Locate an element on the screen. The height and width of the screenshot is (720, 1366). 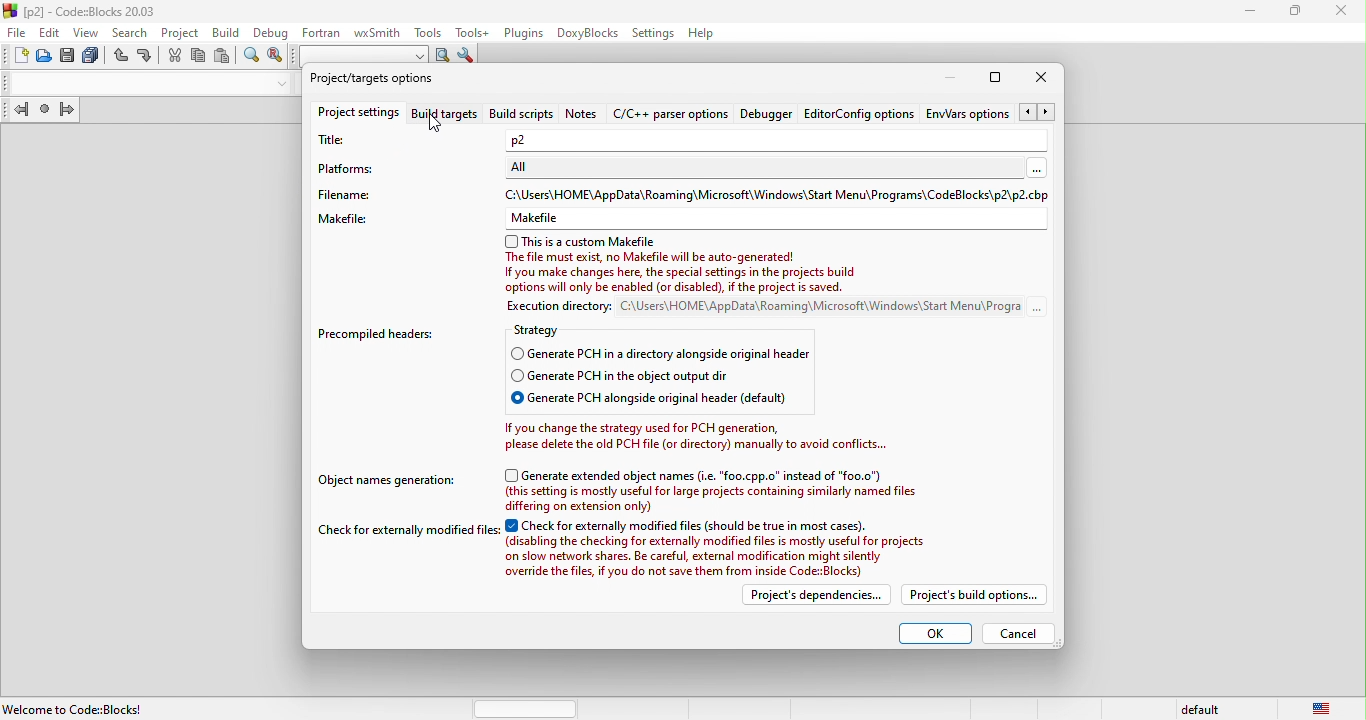
debug is located at coordinates (269, 30).